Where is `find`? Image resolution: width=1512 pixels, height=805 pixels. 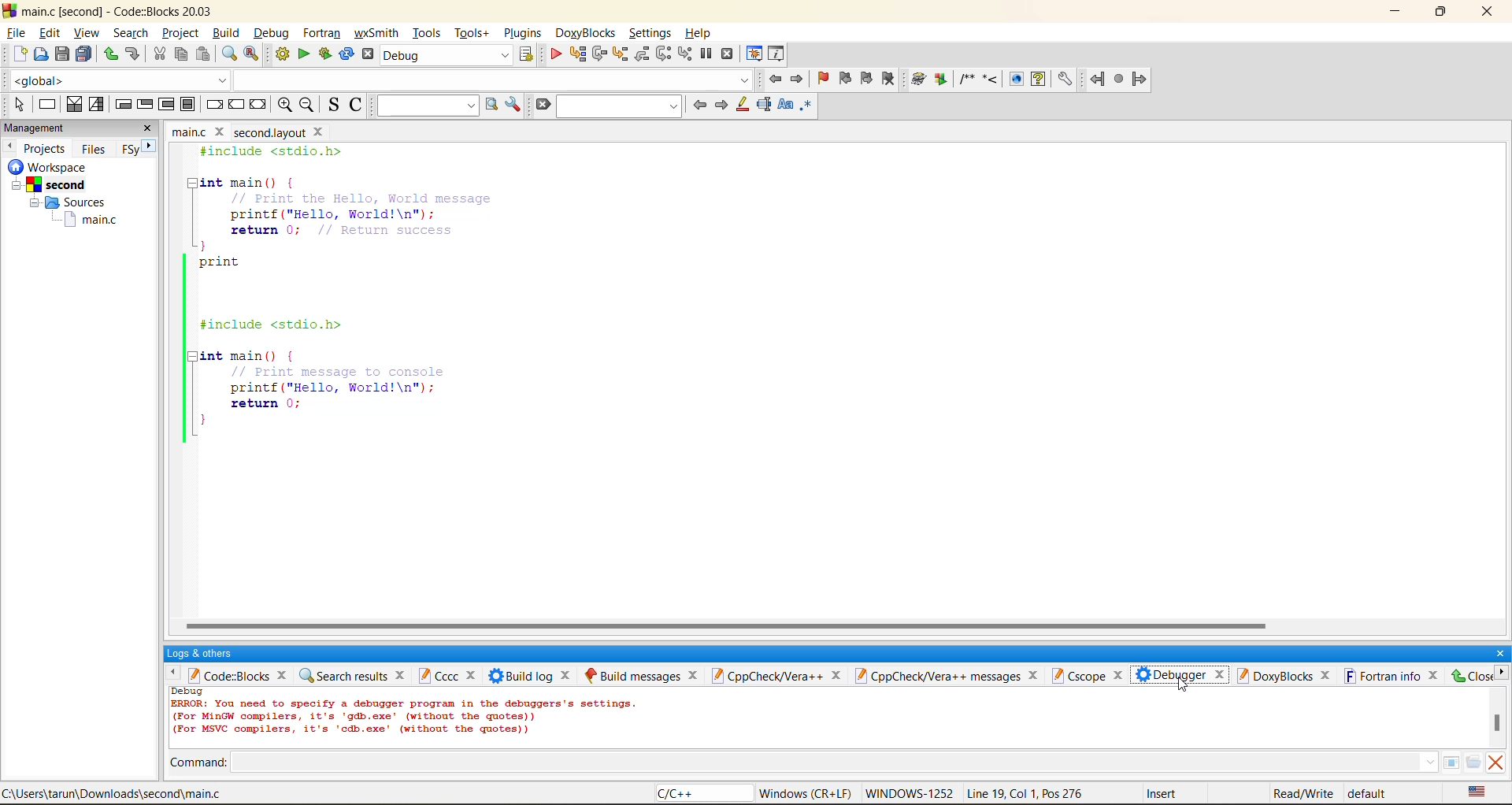 find is located at coordinates (232, 54).